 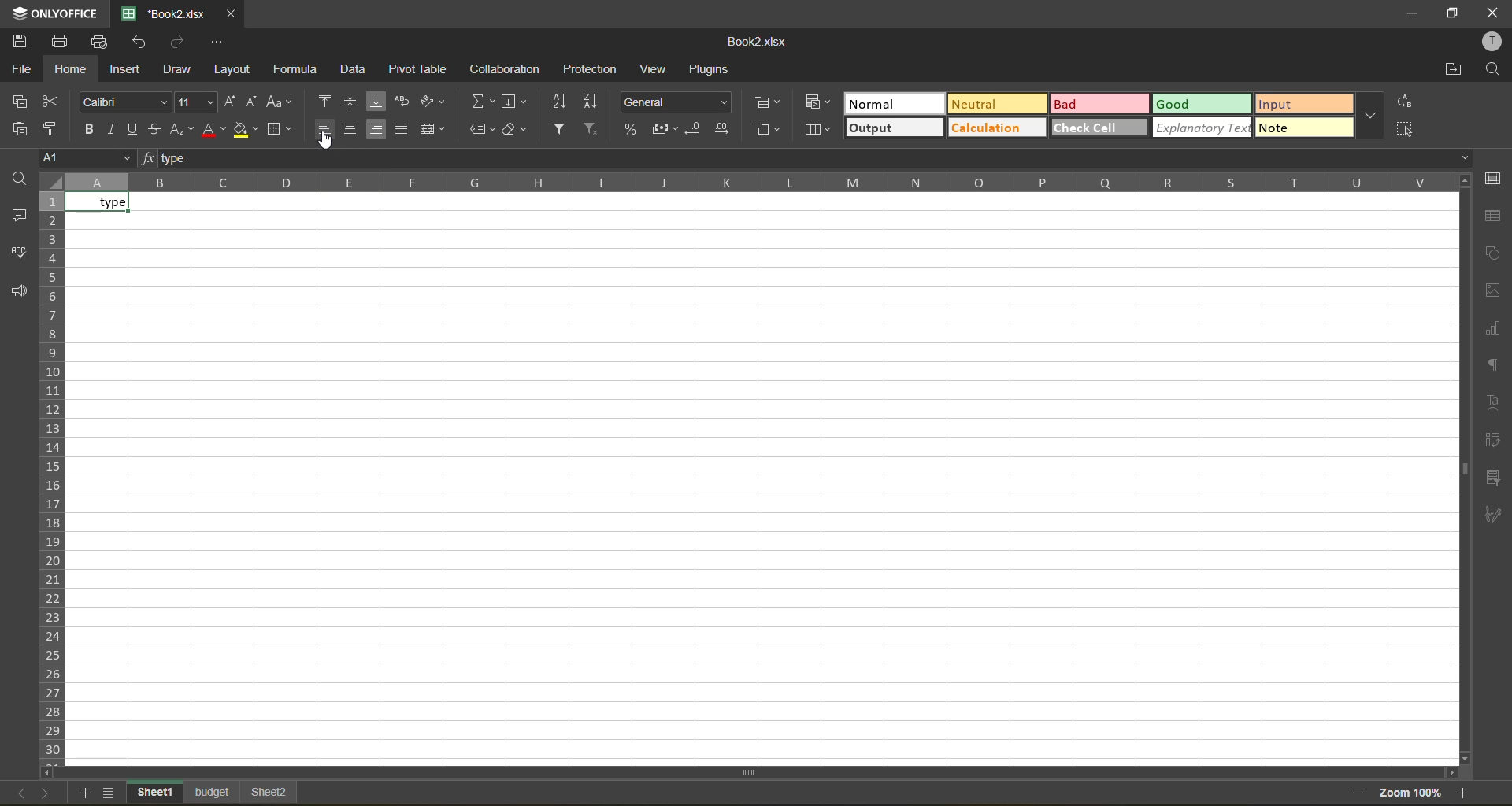 What do you see at coordinates (560, 130) in the screenshot?
I see `filter` at bounding box center [560, 130].